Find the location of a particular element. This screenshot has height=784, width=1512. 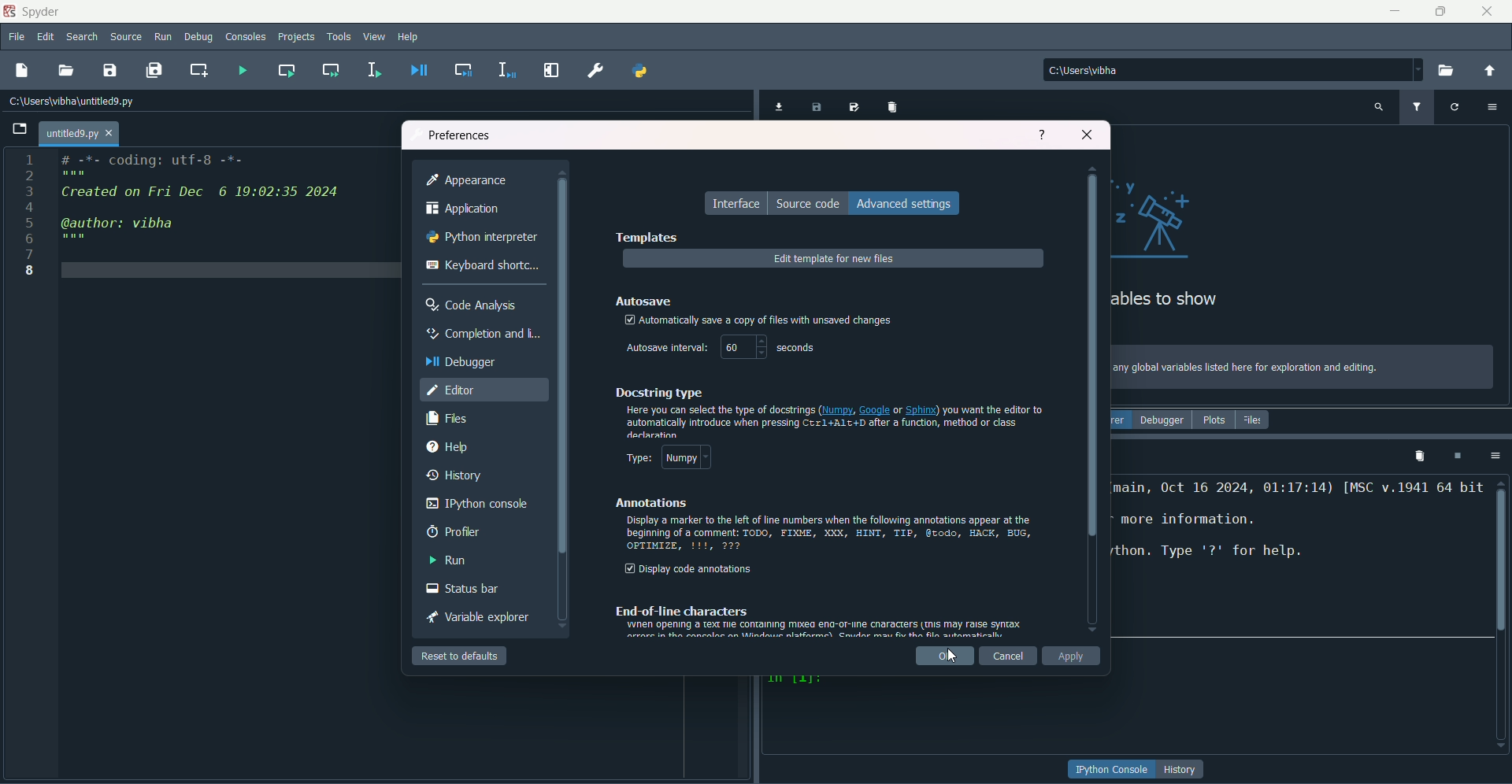

refresh variable is located at coordinates (1455, 105).